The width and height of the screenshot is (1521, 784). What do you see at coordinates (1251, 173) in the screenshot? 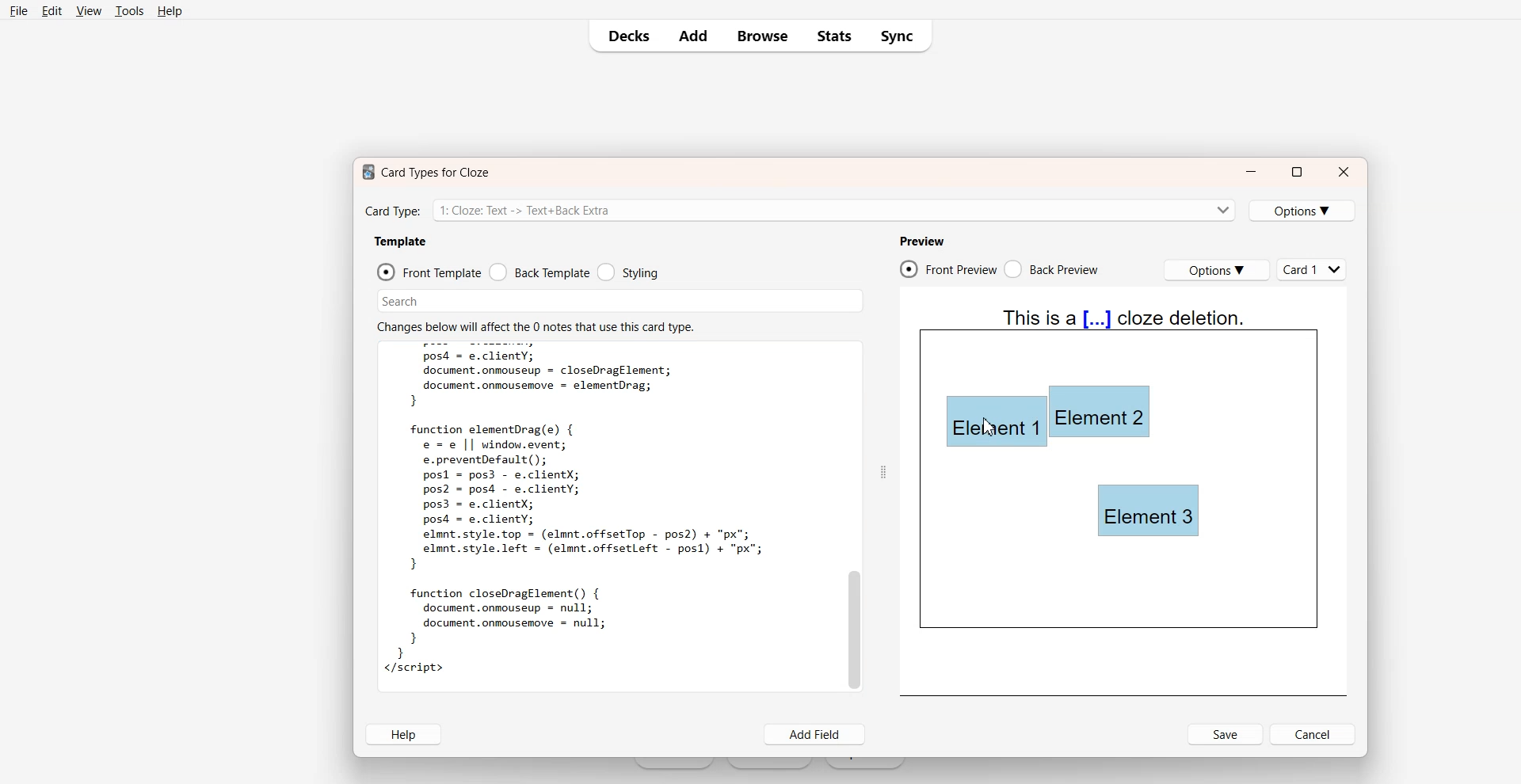
I see `Minimize` at bounding box center [1251, 173].